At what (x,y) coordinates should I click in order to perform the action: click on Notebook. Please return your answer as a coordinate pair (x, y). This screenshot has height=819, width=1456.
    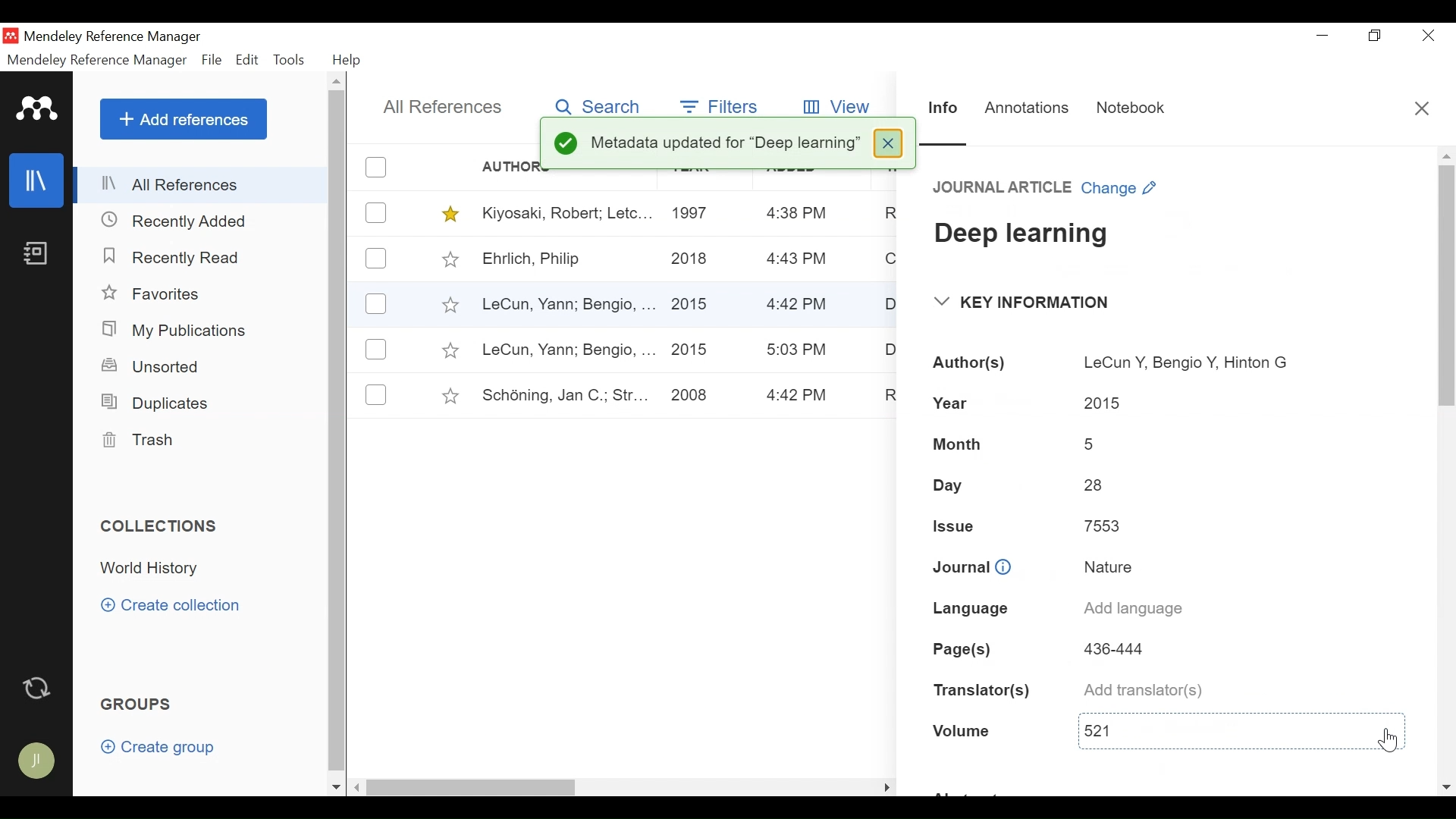
    Looking at the image, I should click on (1125, 109).